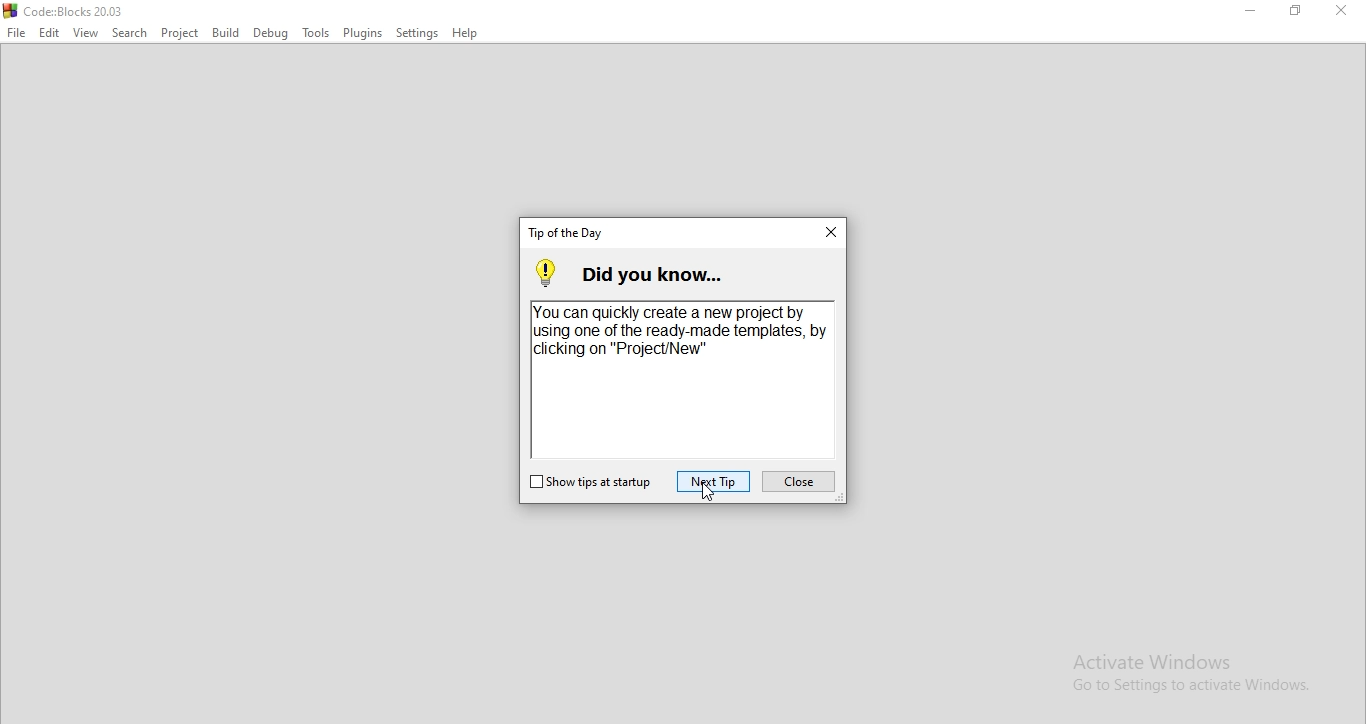 The width and height of the screenshot is (1366, 724). What do you see at coordinates (1341, 10) in the screenshot?
I see `Close` at bounding box center [1341, 10].